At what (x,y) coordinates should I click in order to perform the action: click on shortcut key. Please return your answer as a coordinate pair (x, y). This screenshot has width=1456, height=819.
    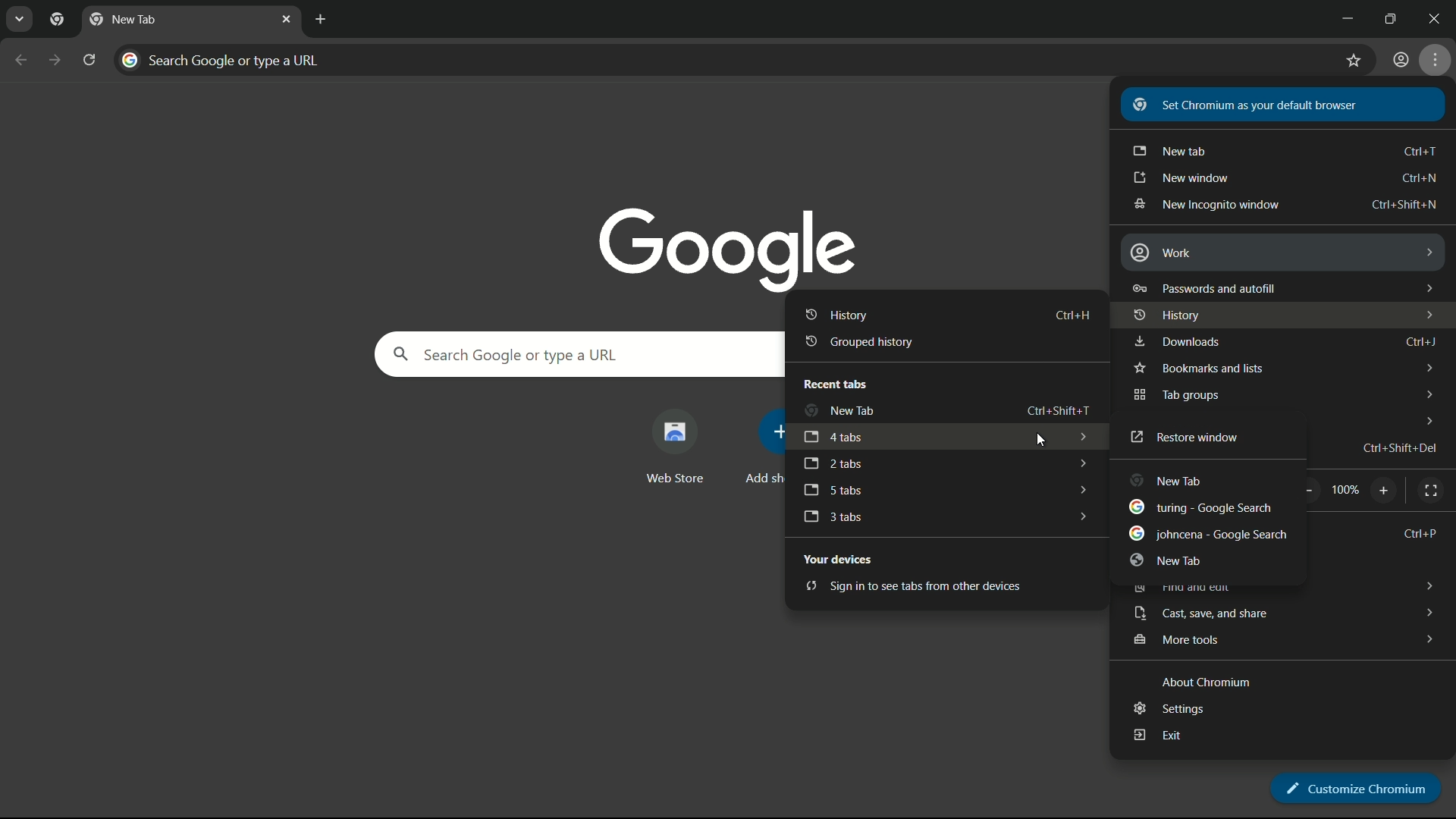
    Looking at the image, I should click on (1418, 178).